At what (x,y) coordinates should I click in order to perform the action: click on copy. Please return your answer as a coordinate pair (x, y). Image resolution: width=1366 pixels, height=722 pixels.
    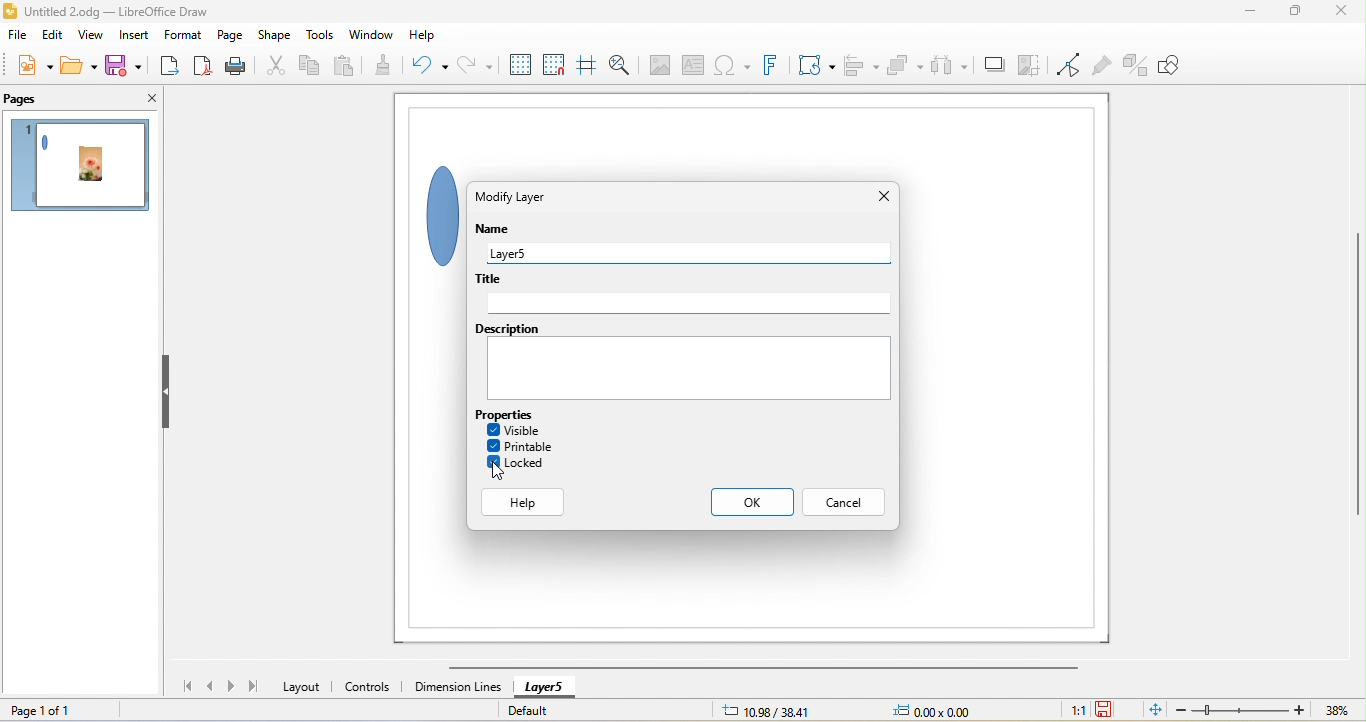
    Looking at the image, I should click on (311, 67).